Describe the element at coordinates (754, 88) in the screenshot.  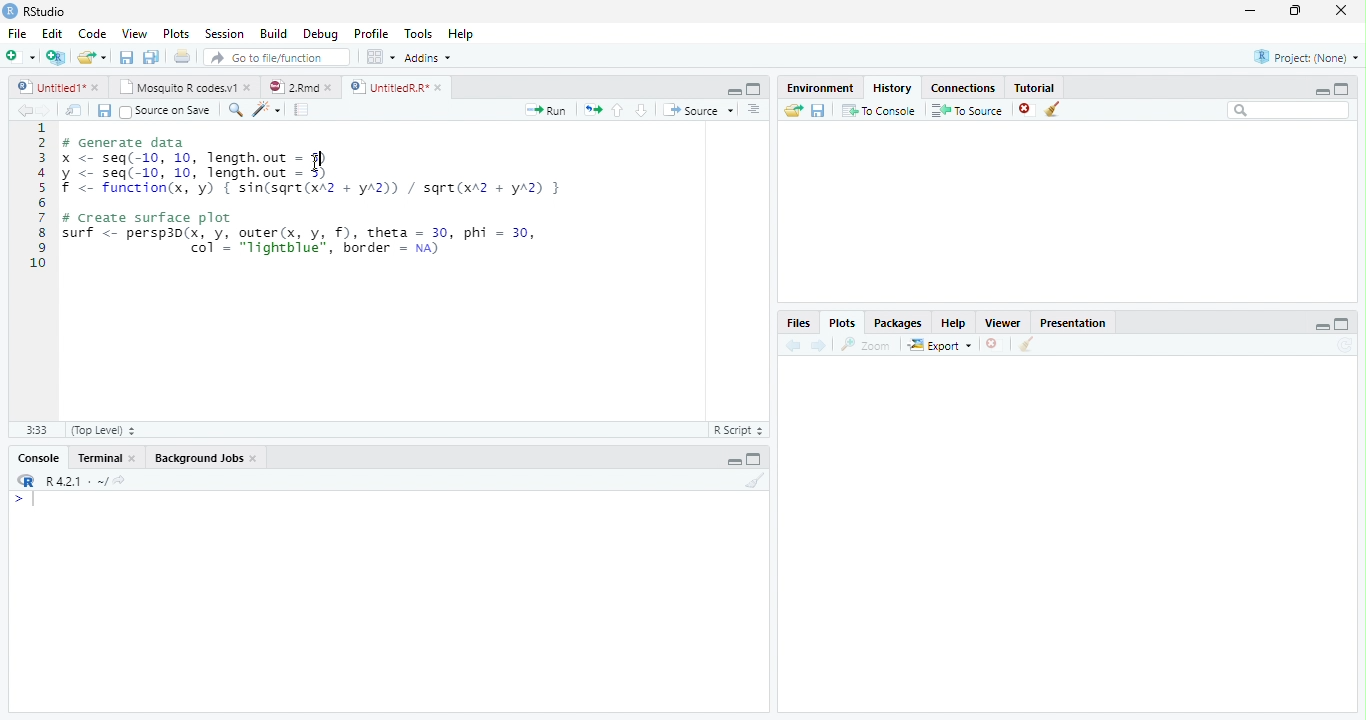
I see `Maximixe` at that location.